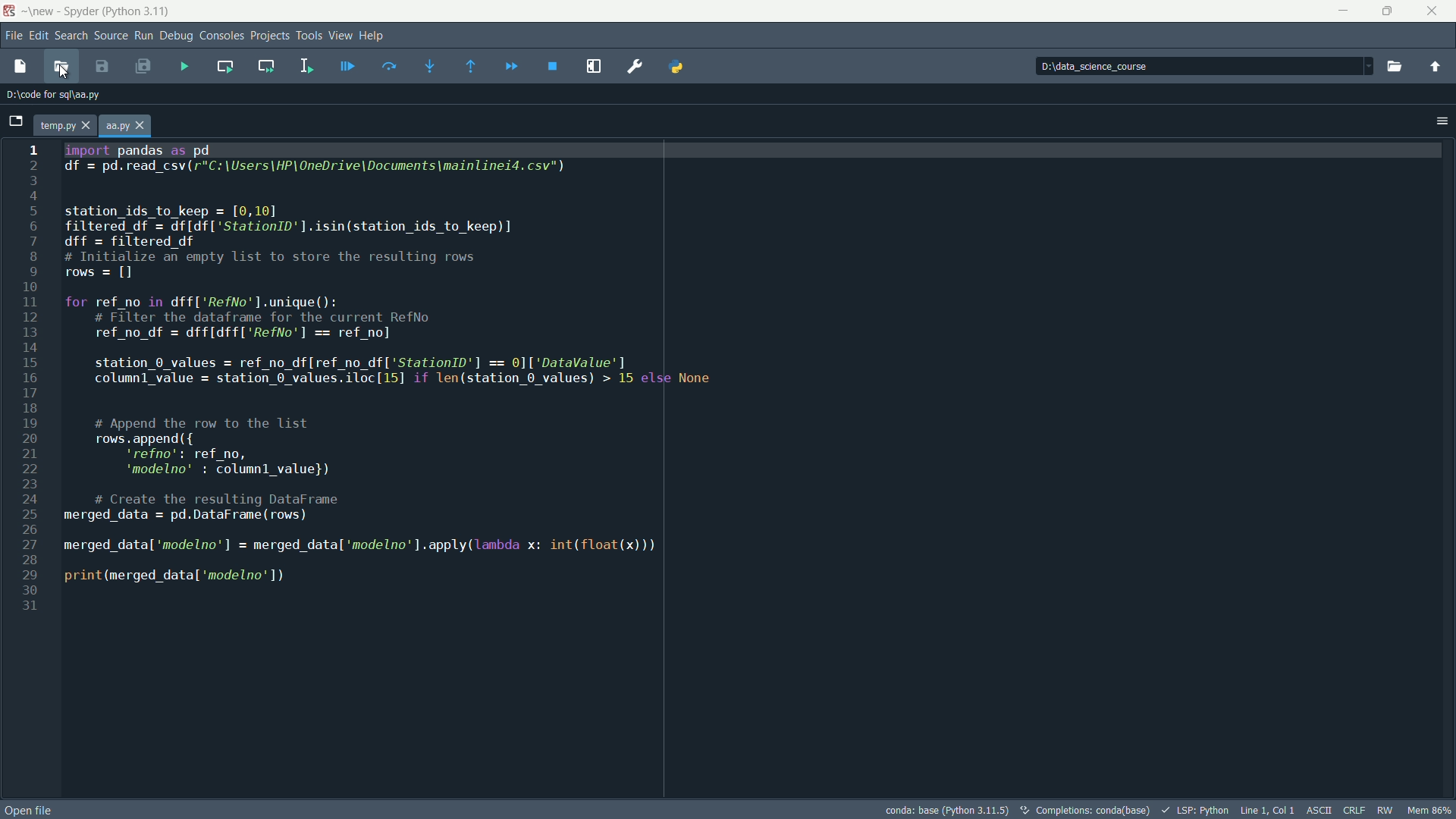 The height and width of the screenshot is (819, 1456). I want to click on minimize, so click(1344, 11).